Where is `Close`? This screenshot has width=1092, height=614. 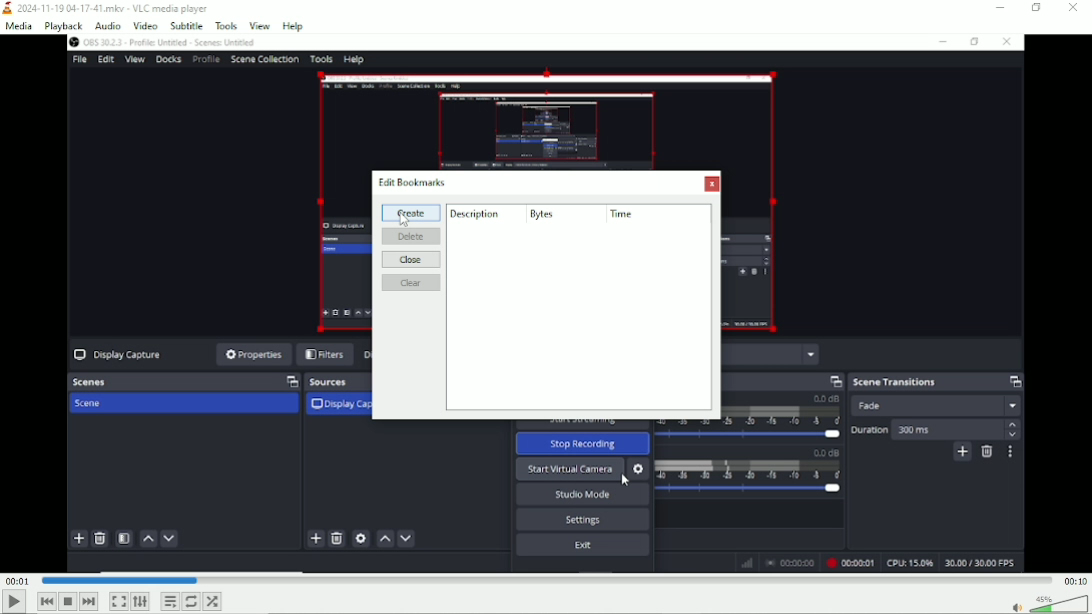 Close is located at coordinates (410, 259).